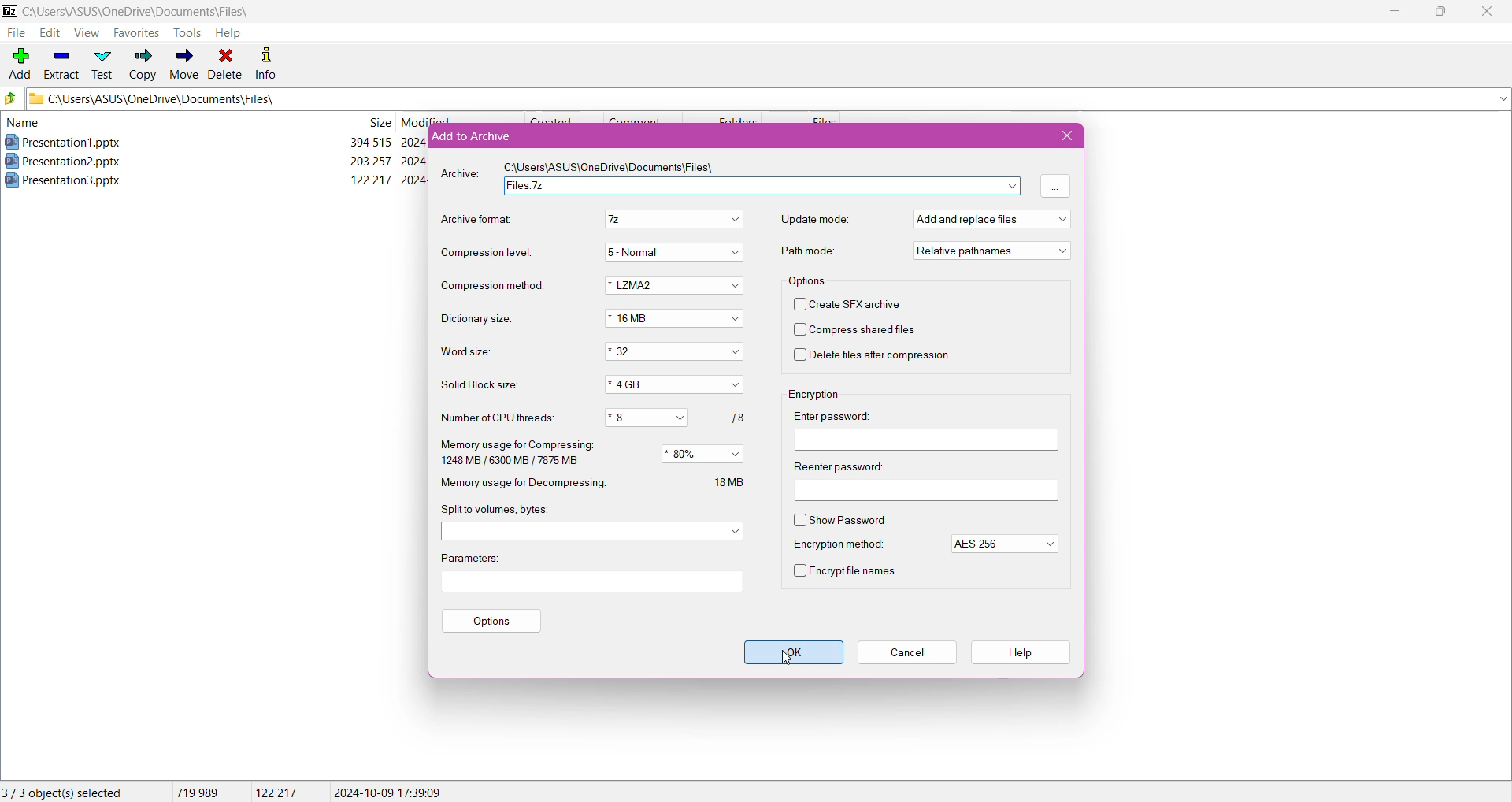  I want to click on Show password , so click(842, 519).